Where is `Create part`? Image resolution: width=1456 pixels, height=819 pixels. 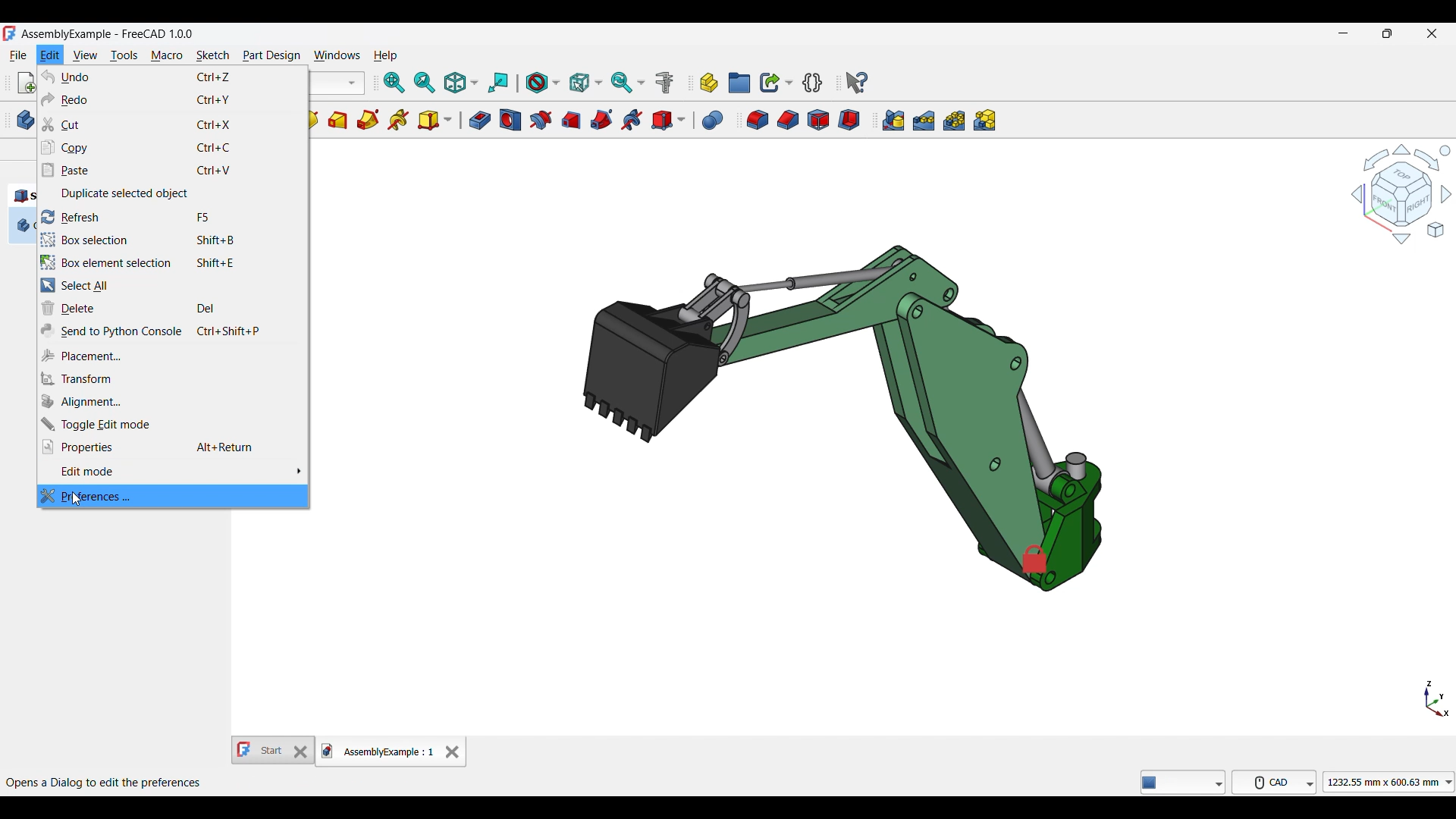 Create part is located at coordinates (709, 83).